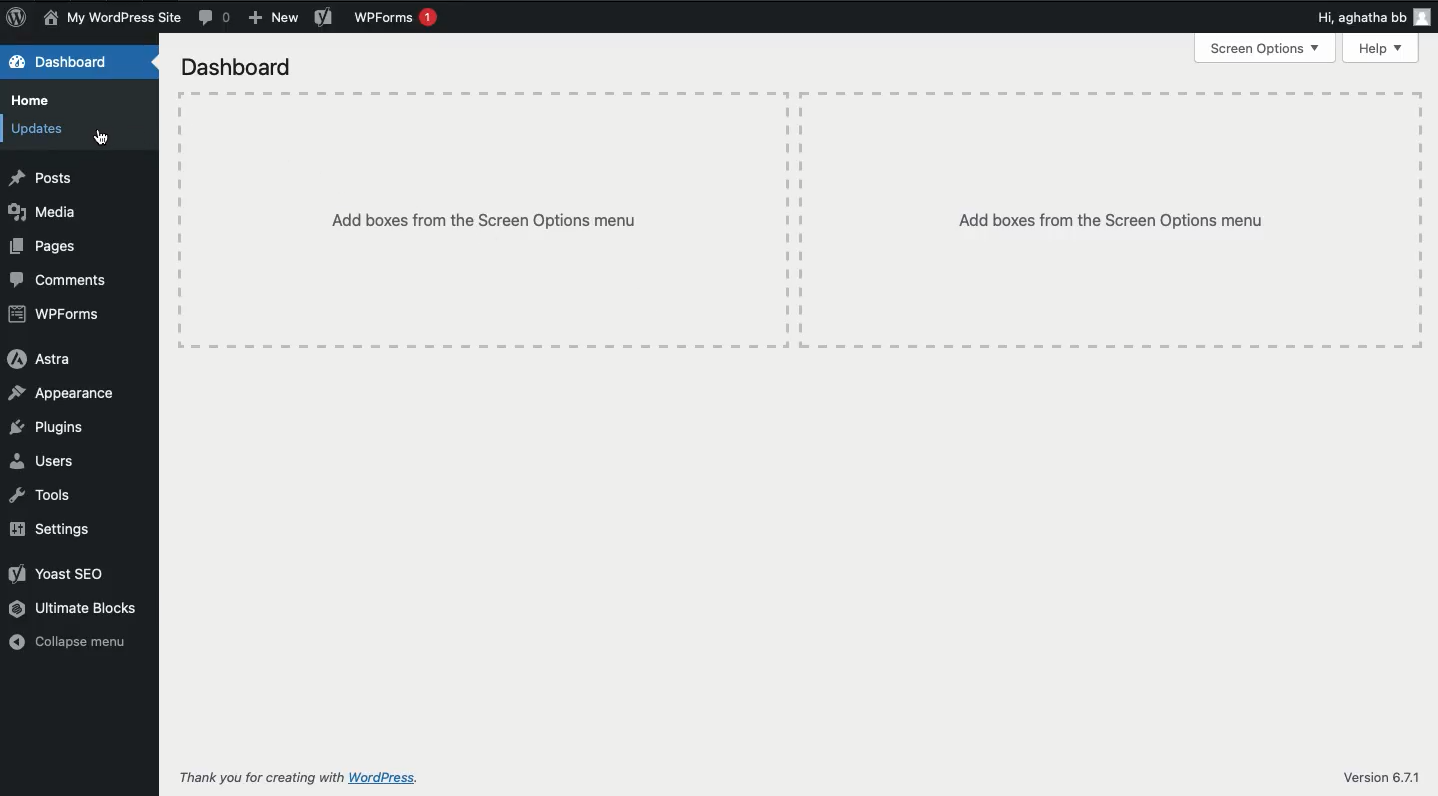 This screenshot has width=1438, height=796. I want to click on Yoast, so click(63, 576).